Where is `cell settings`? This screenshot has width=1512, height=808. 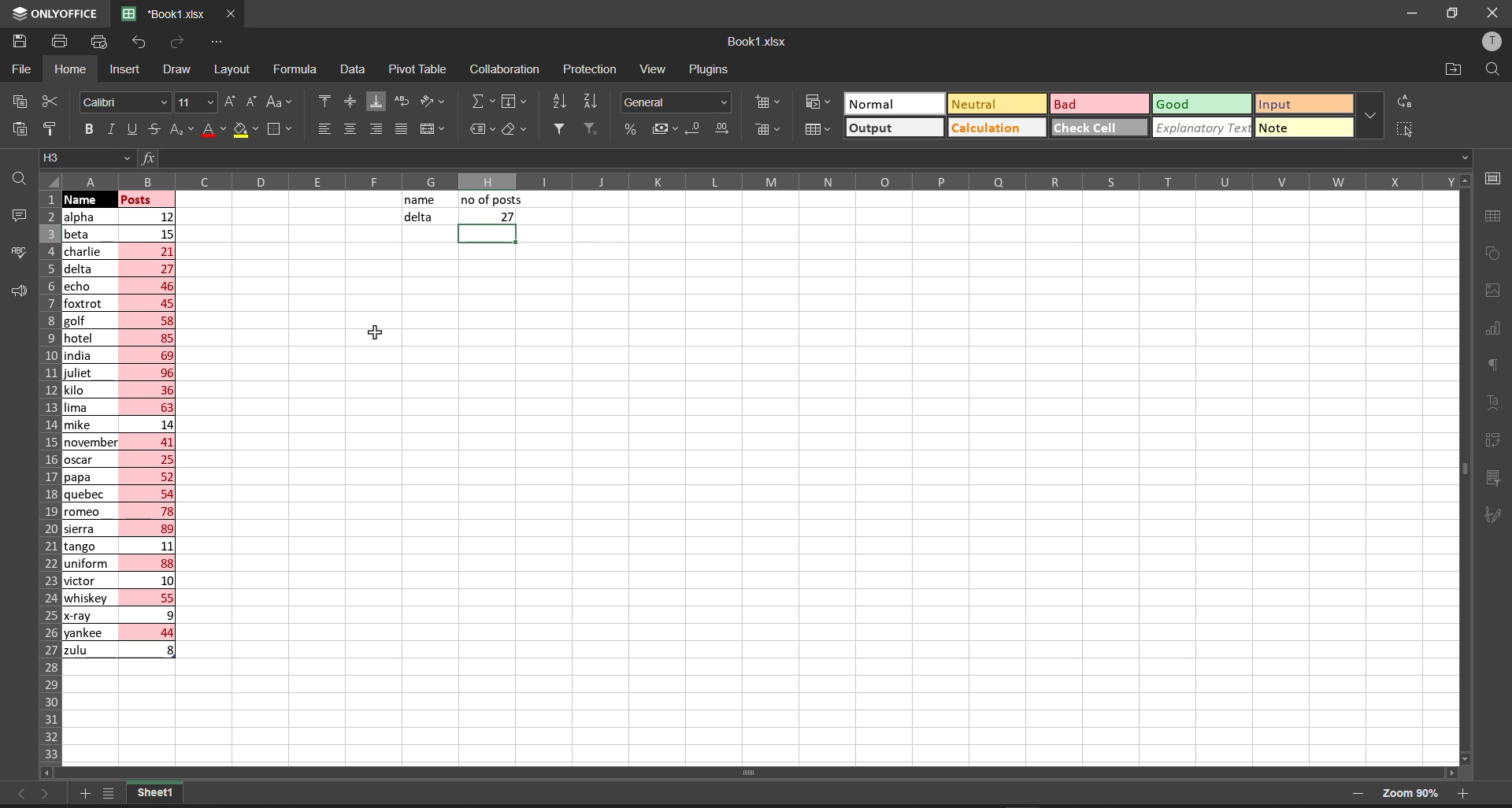 cell settings is located at coordinates (1494, 176).